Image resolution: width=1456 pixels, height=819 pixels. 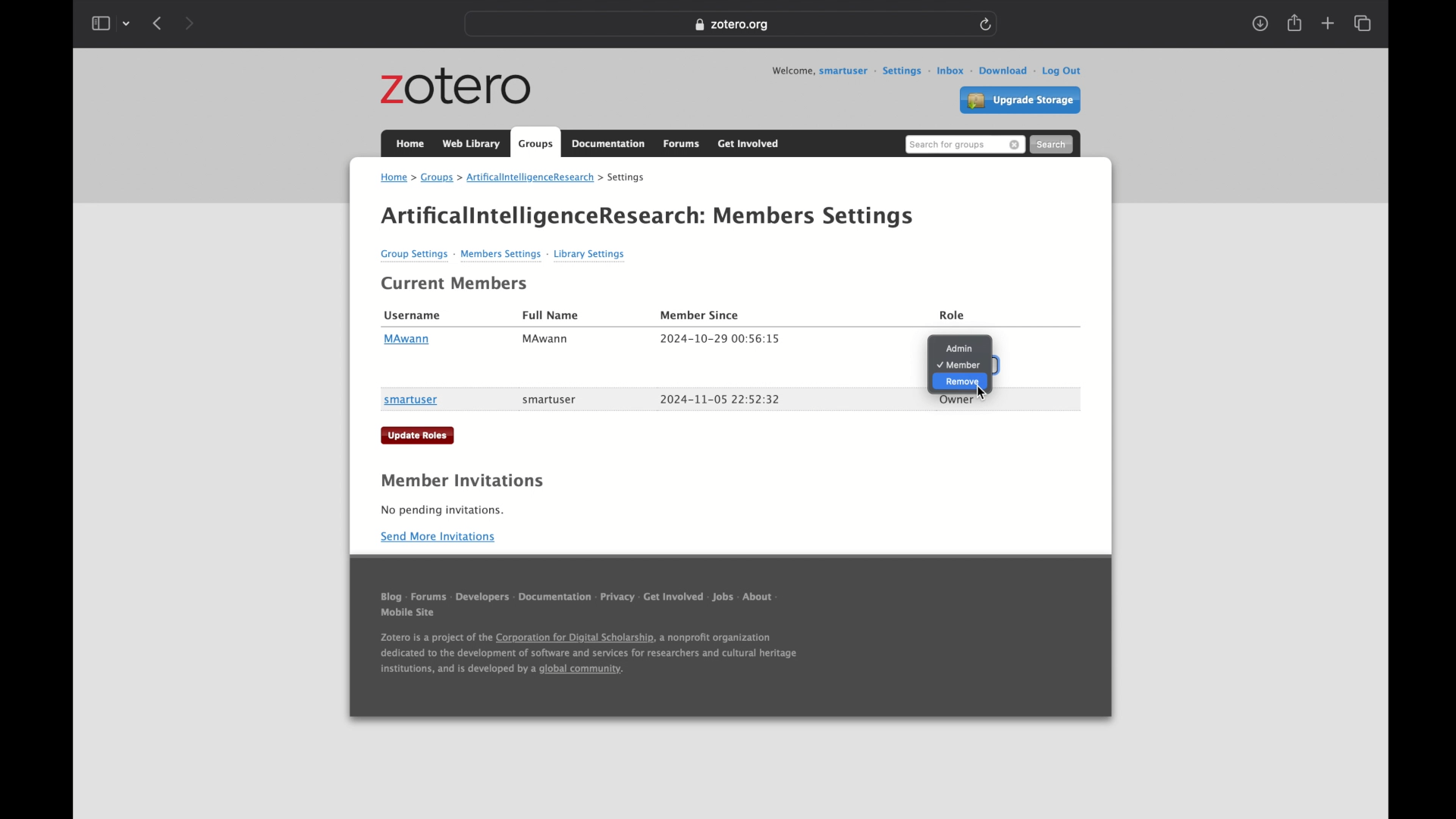 I want to click on smartuser, so click(x=411, y=401).